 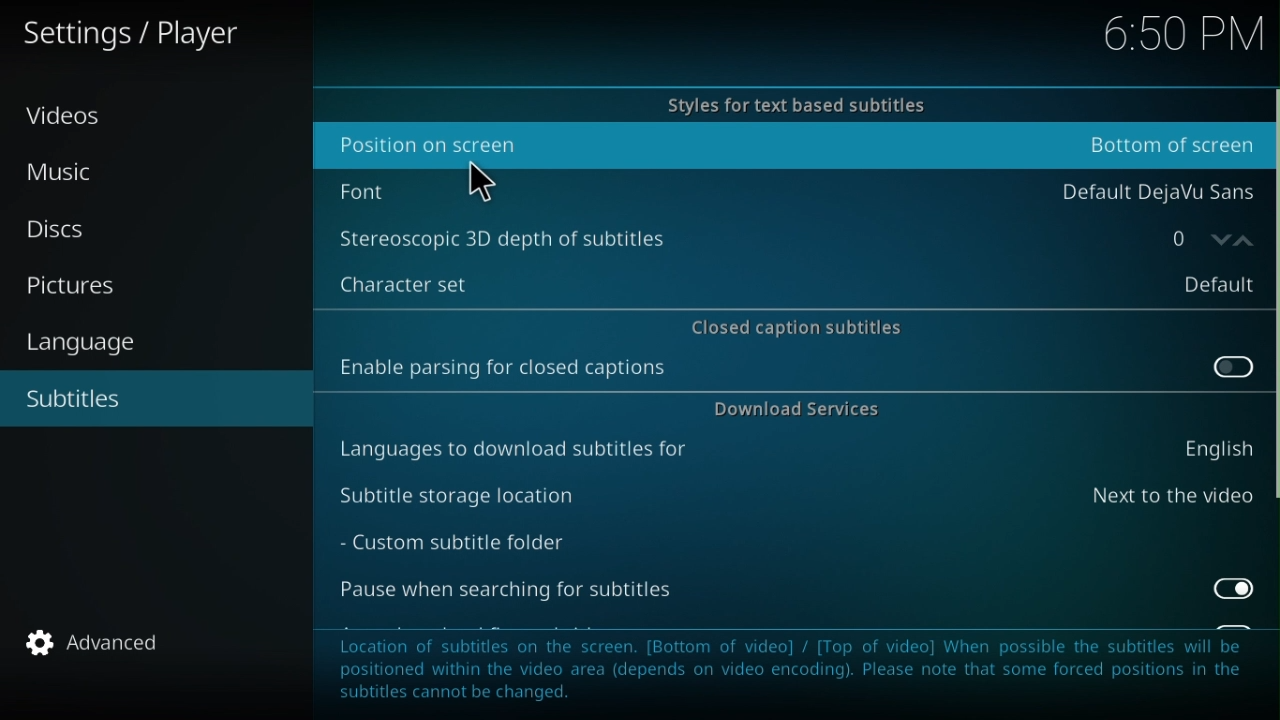 I want to click on Subtitles, so click(x=87, y=398).